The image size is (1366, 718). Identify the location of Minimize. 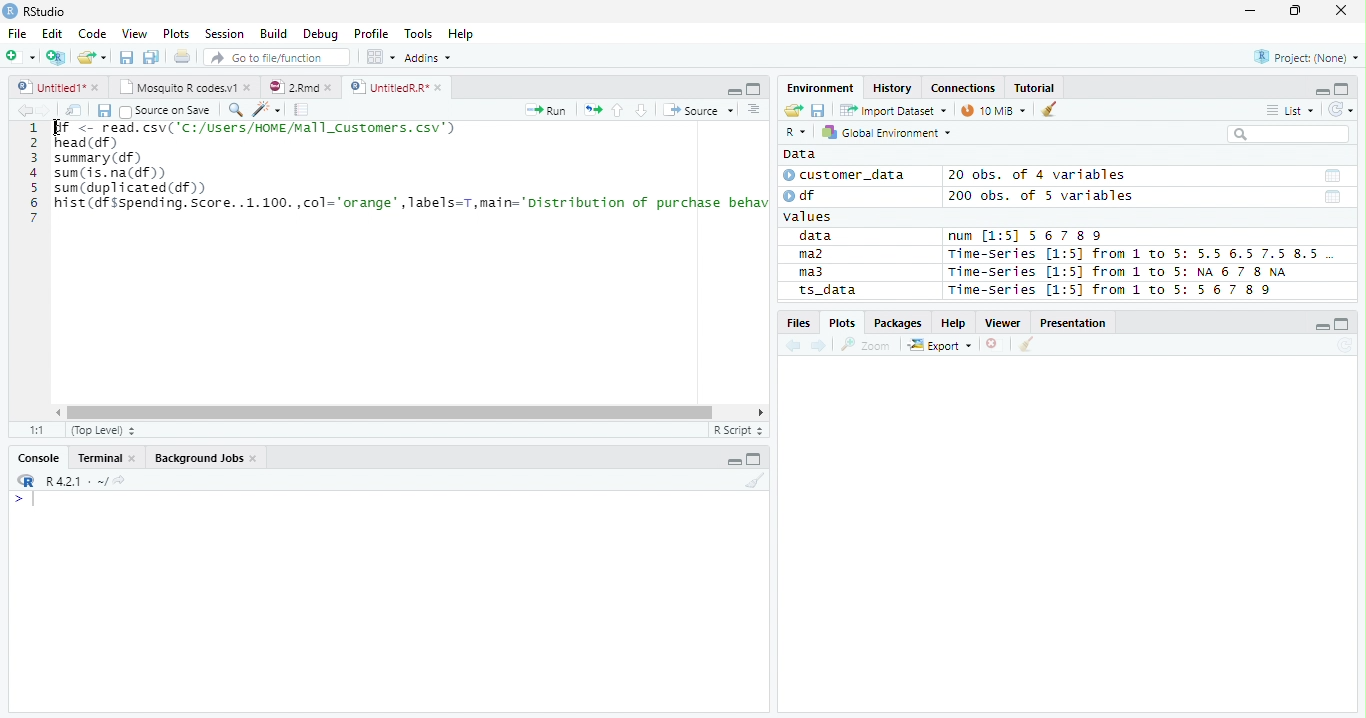
(1249, 13).